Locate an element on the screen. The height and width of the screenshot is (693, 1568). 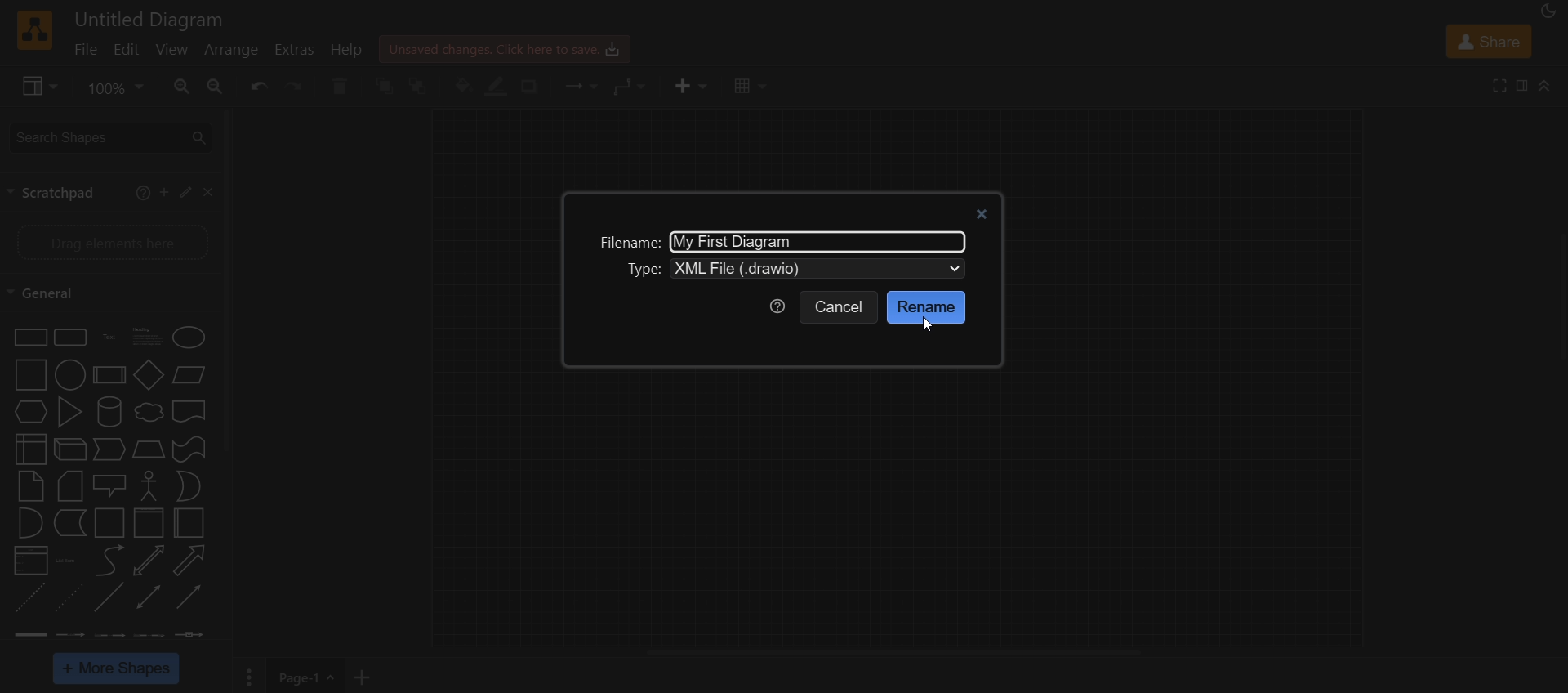
zoom is located at coordinates (113, 90).